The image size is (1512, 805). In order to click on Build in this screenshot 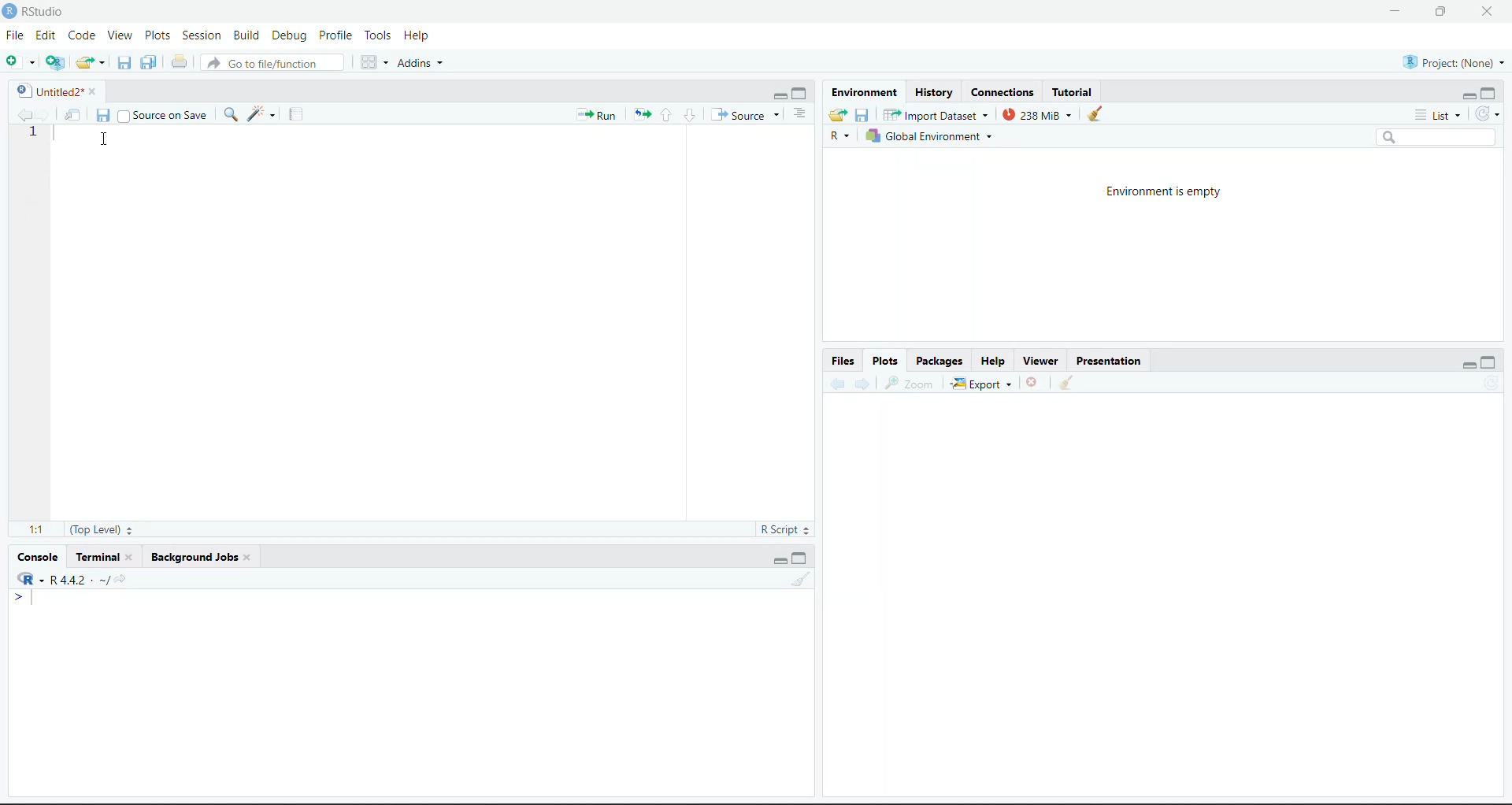, I will do `click(246, 35)`.